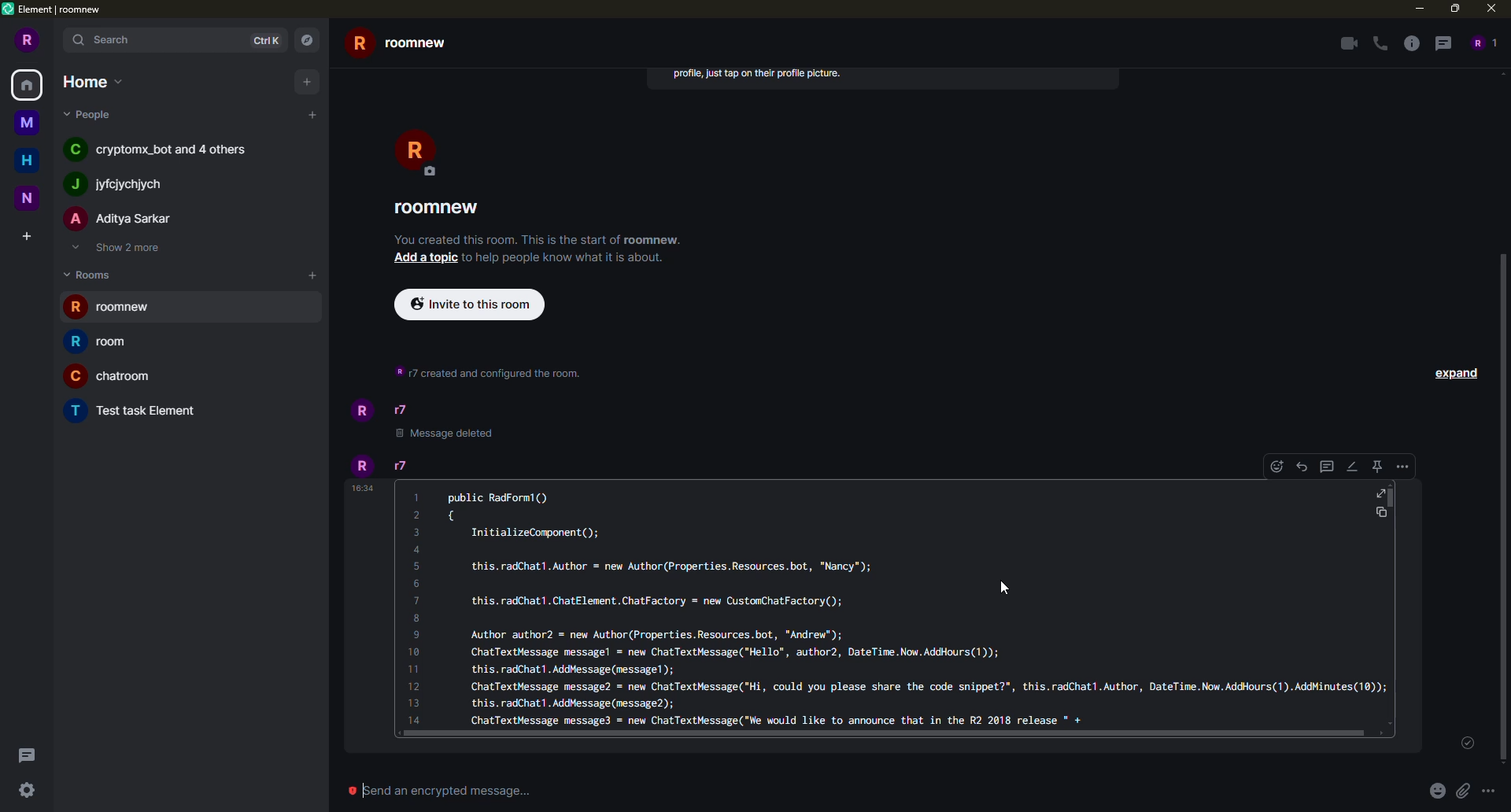 The width and height of the screenshot is (1511, 812). Describe the element at coordinates (267, 40) in the screenshot. I see `ctrlk` at that location.